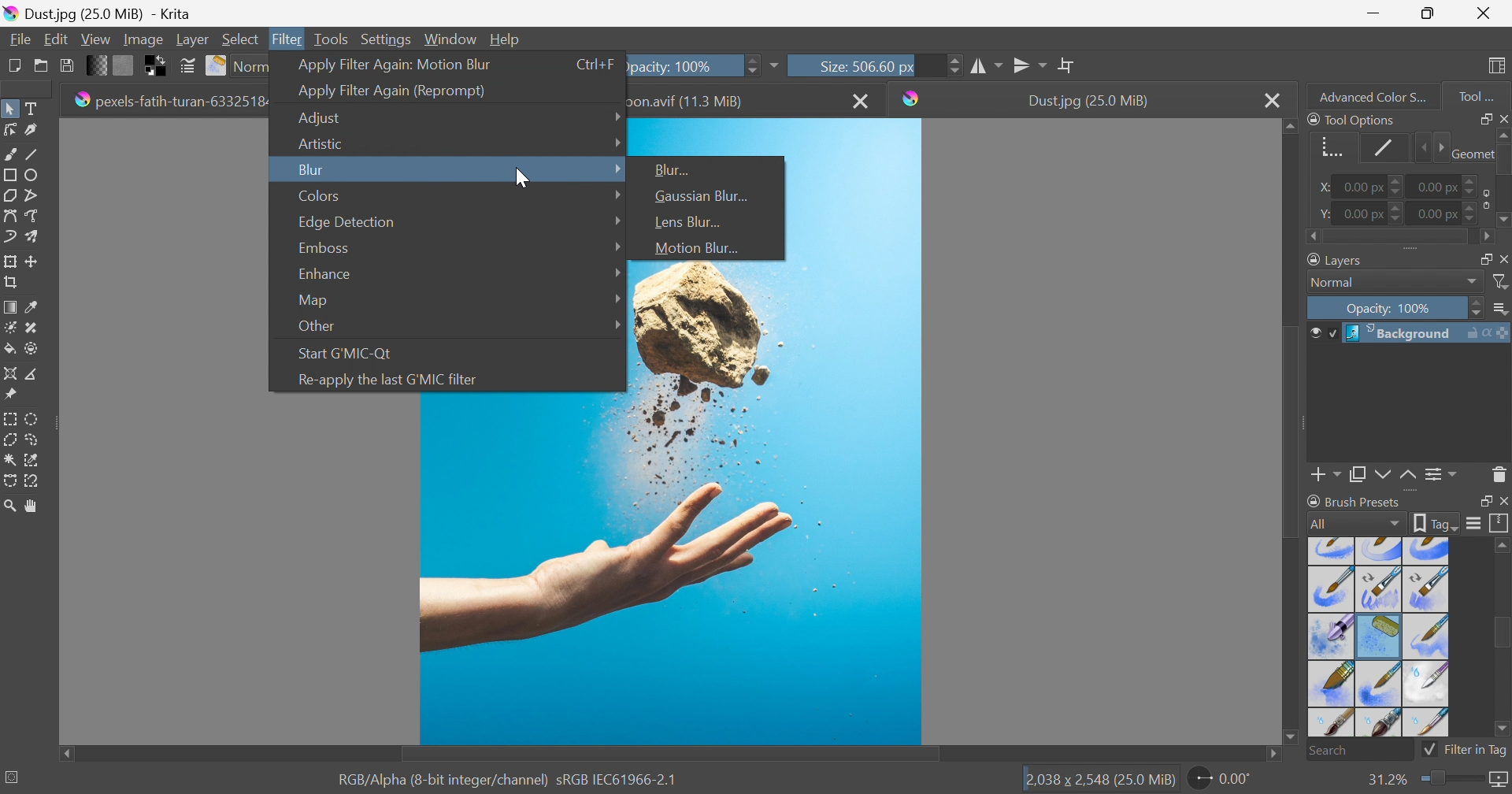 Image resolution: width=1512 pixels, height=794 pixels. Describe the element at coordinates (1503, 258) in the screenshot. I see `Float Docker` at that location.